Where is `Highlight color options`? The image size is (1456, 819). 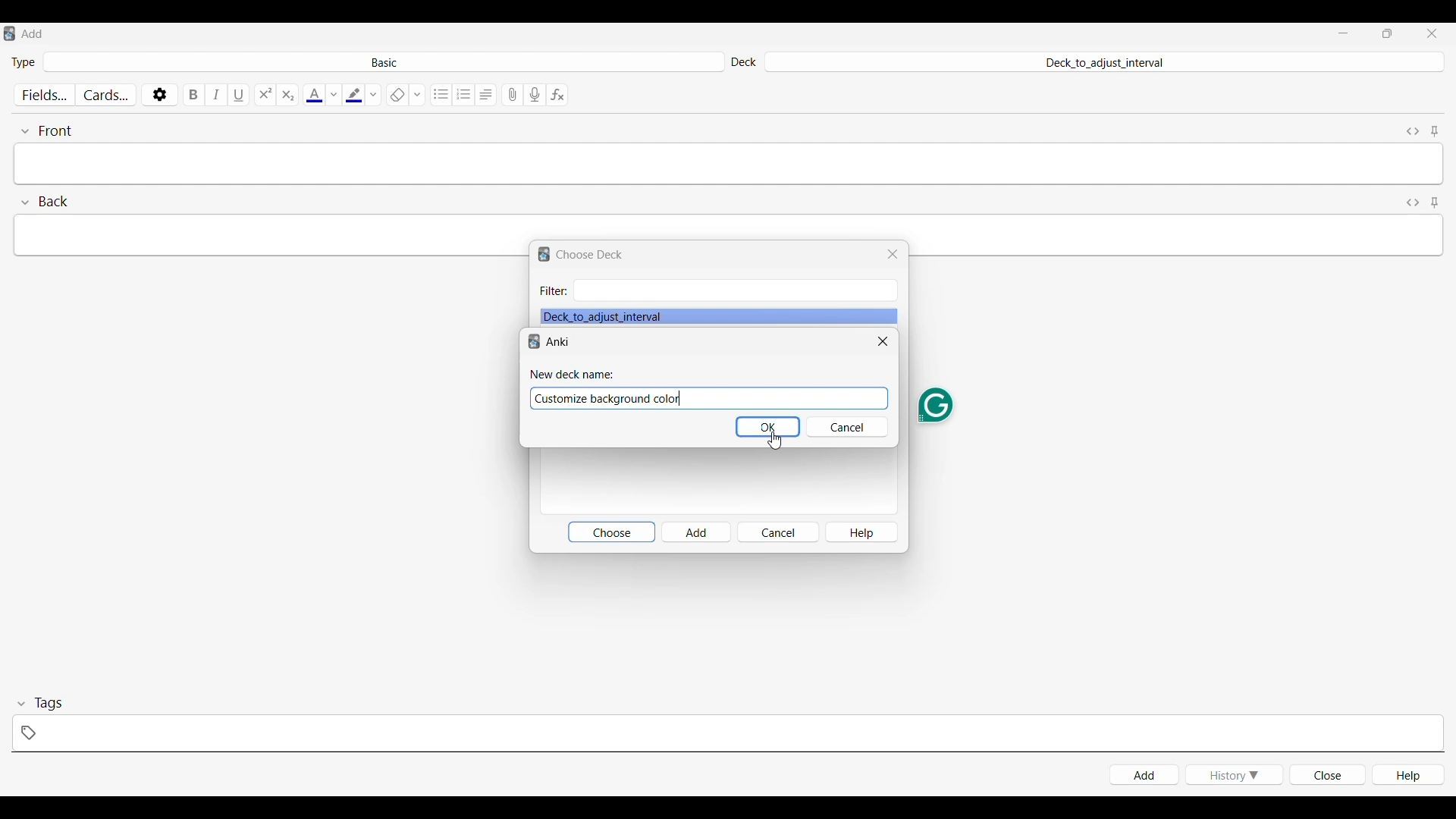
Highlight color options is located at coordinates (374, 94).